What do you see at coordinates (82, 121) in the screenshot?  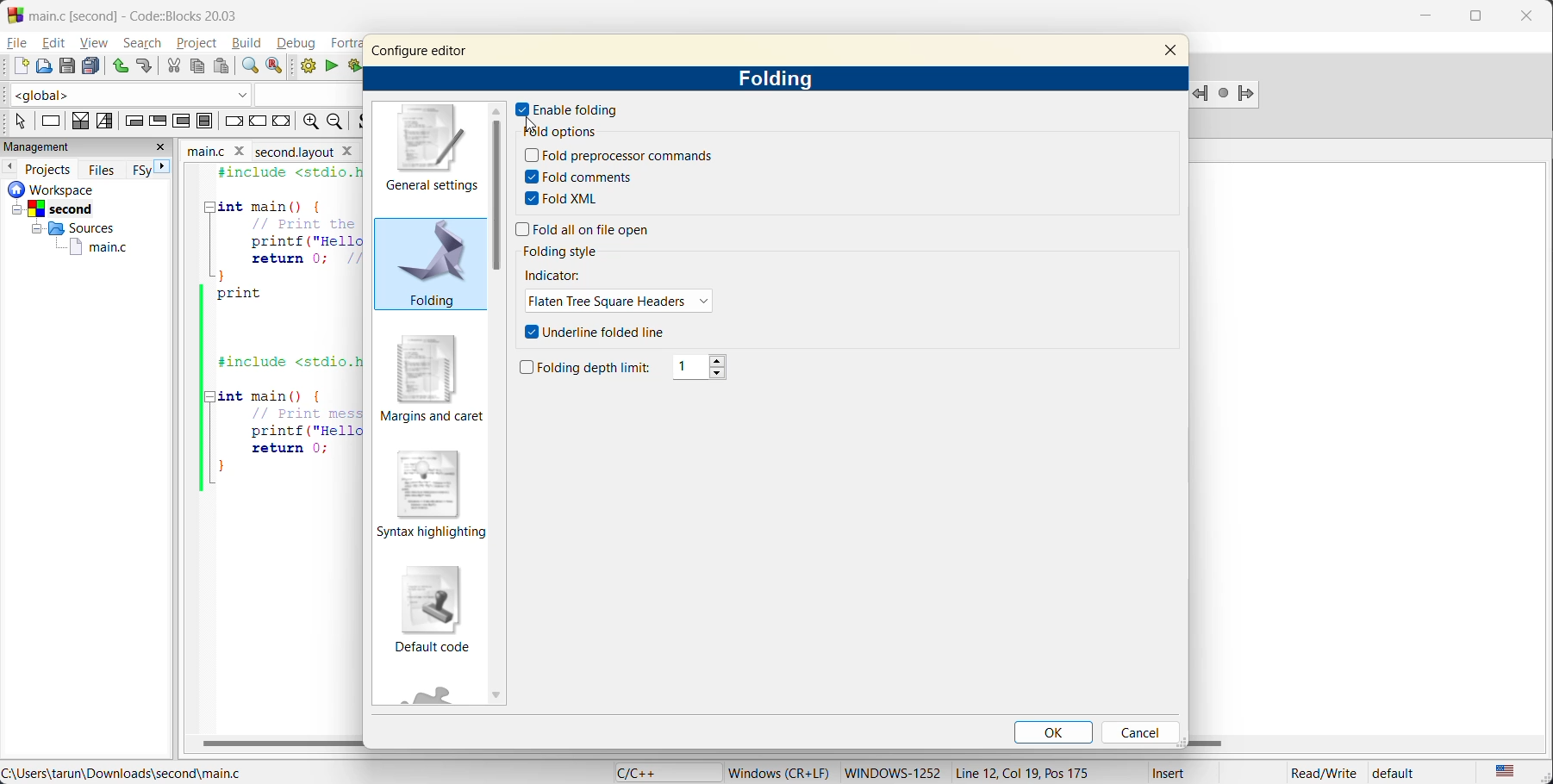 I see `decision` at bounding box center [82, 121].